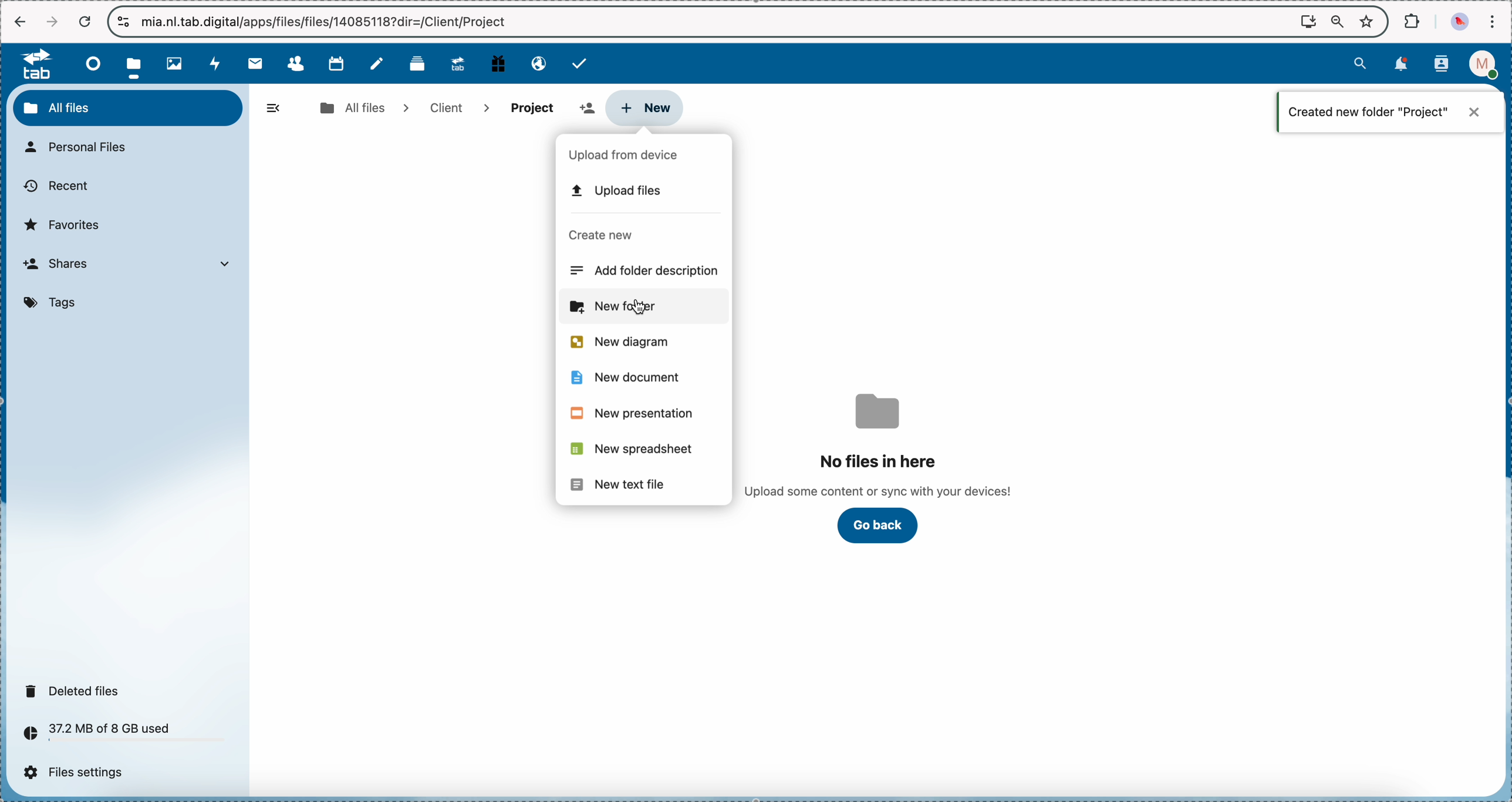  Describe the element at coordinates (1487, 65) in the screenshot. I see `profile` at that location.